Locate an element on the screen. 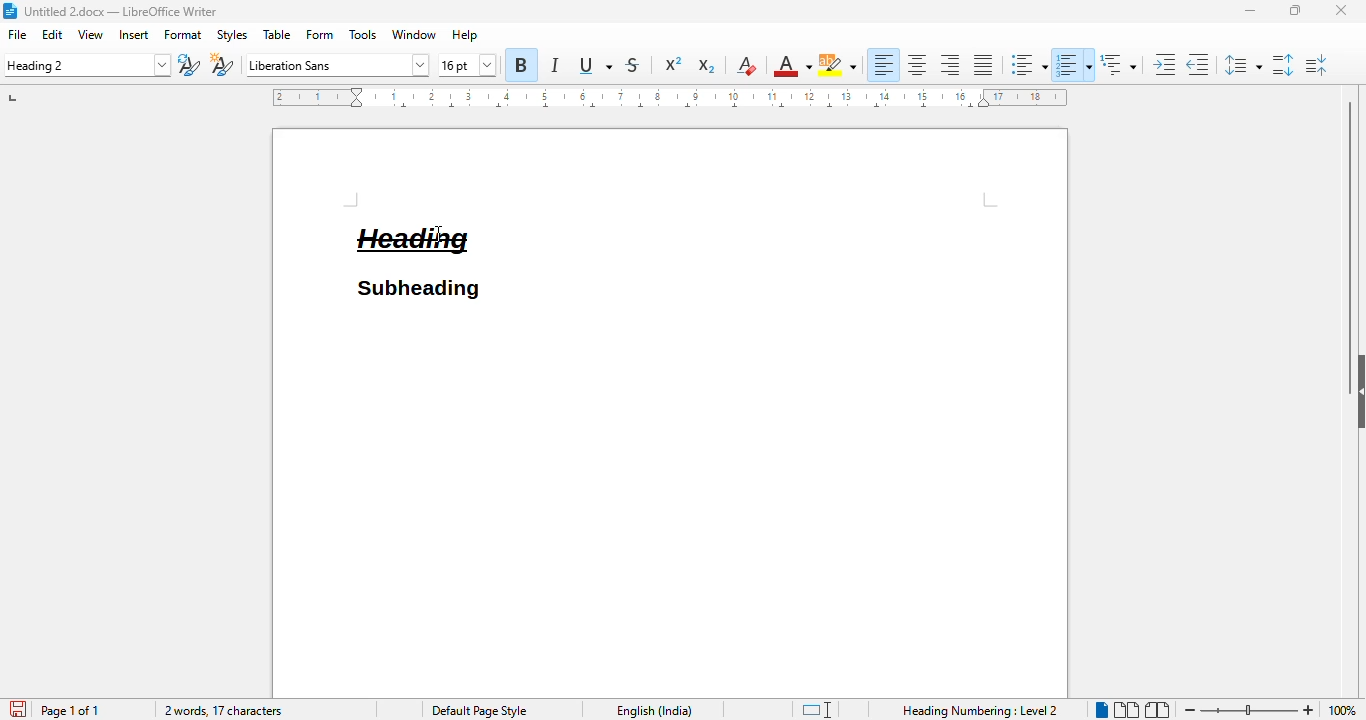  2 words, 17 characters is located at coordinates (224, 711).